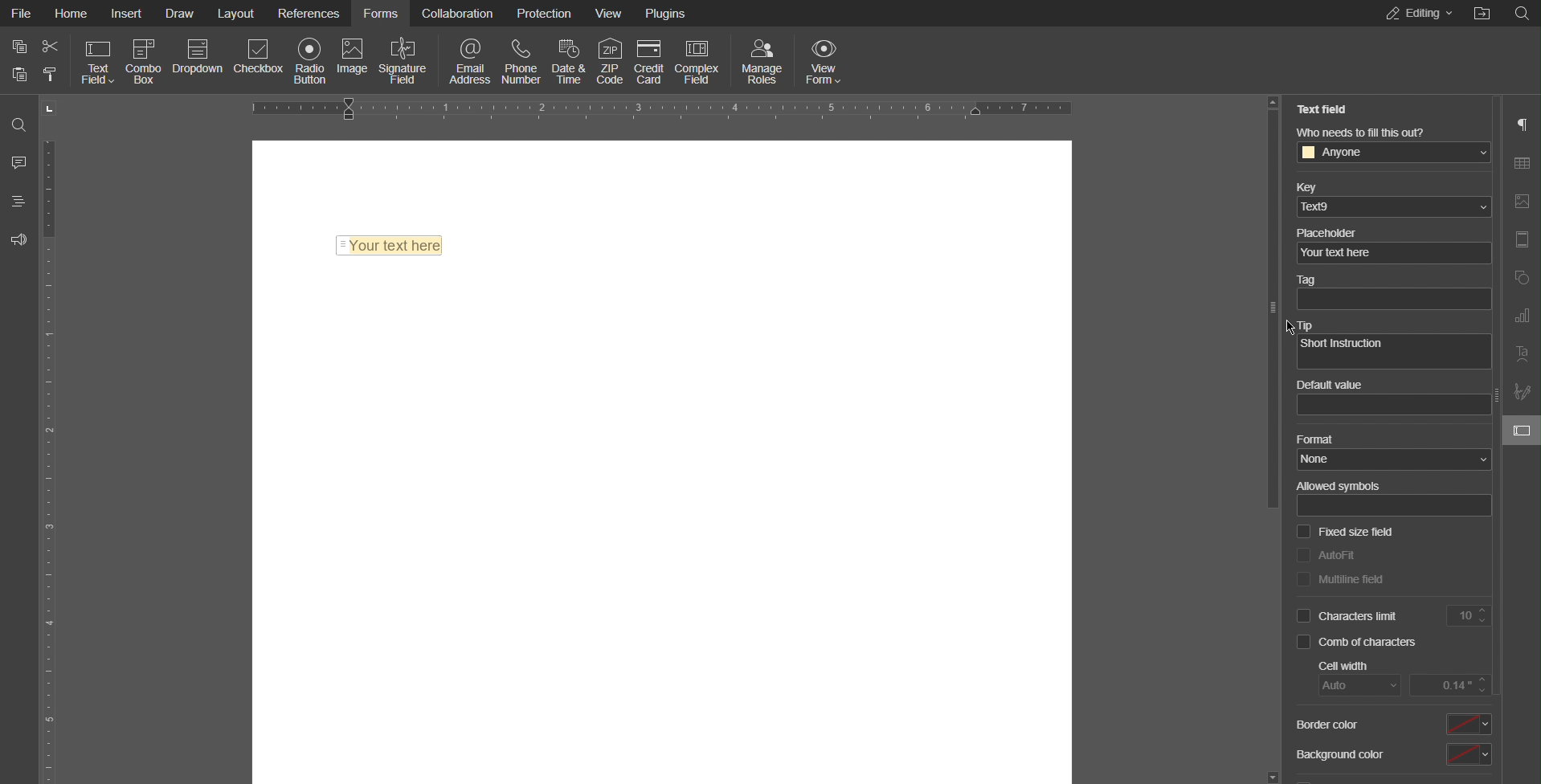 This screenshot has height=784, width=1541. What do you see at coordinates (1317, 187) in the screenshot?
I see `Key` at bounding box center [1317, 187].